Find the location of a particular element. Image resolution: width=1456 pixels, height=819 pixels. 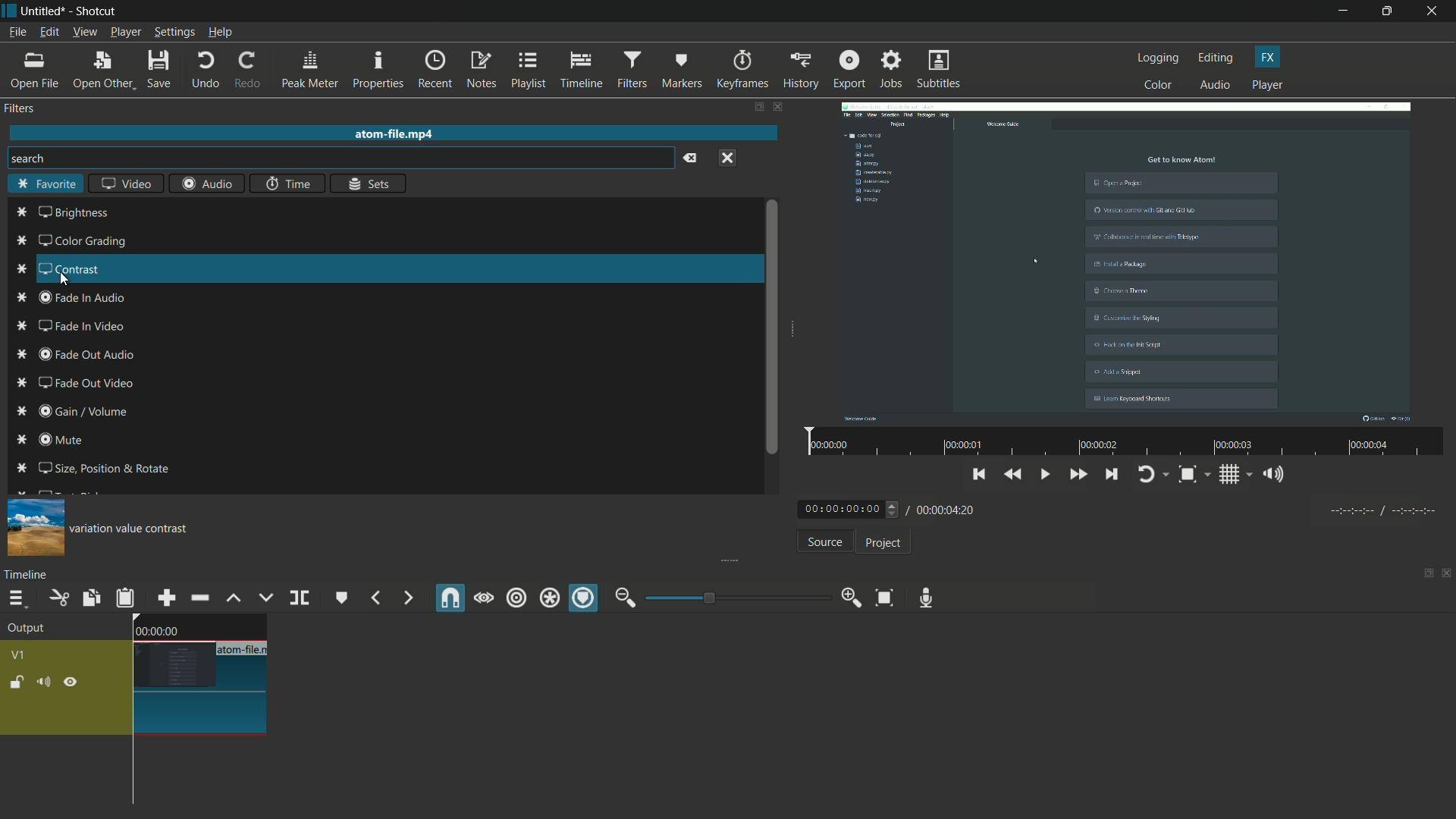

previous marker is located at coordinates (375, 598).